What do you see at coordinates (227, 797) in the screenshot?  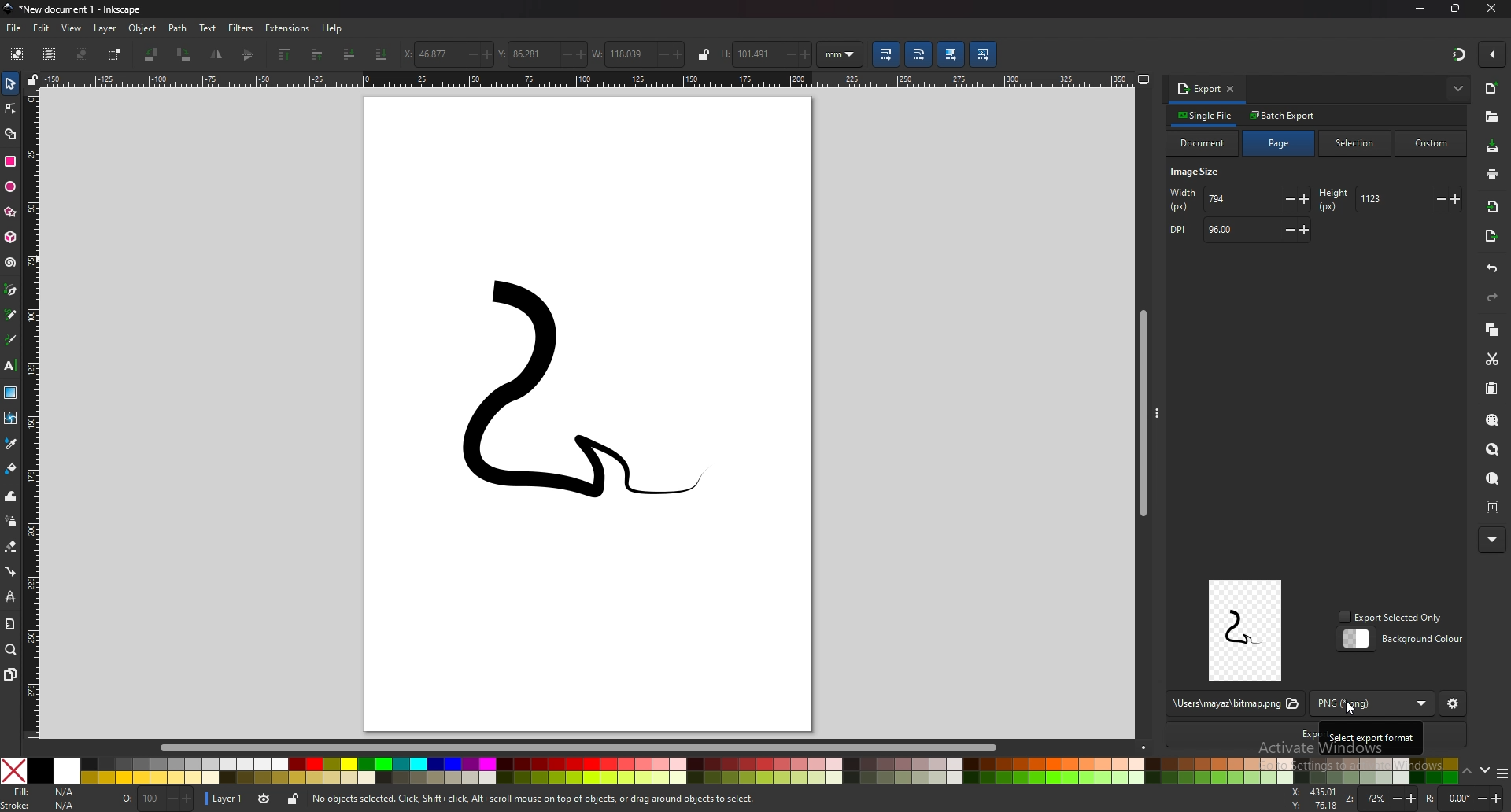 I see `layer` at bounding box center [227, 797].